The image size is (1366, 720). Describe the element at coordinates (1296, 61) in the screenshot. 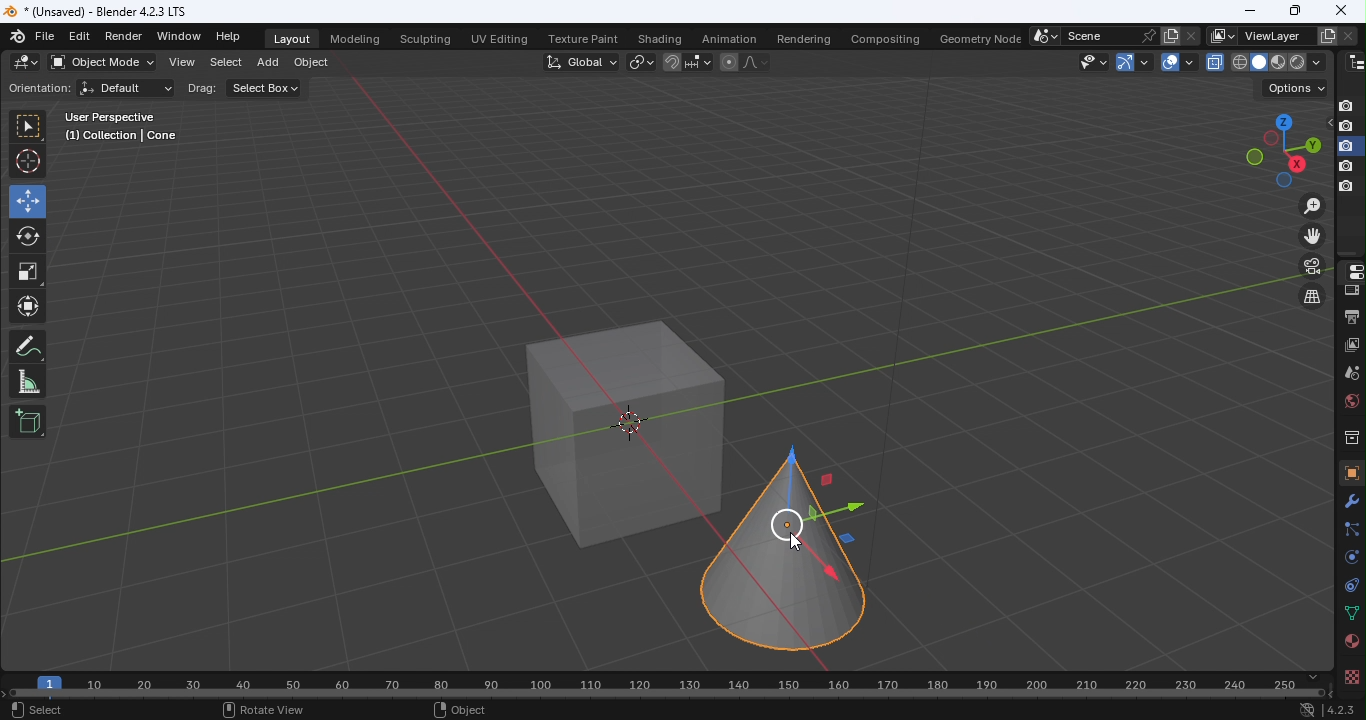

I see `viewpoint shader: Rendered` at that location.